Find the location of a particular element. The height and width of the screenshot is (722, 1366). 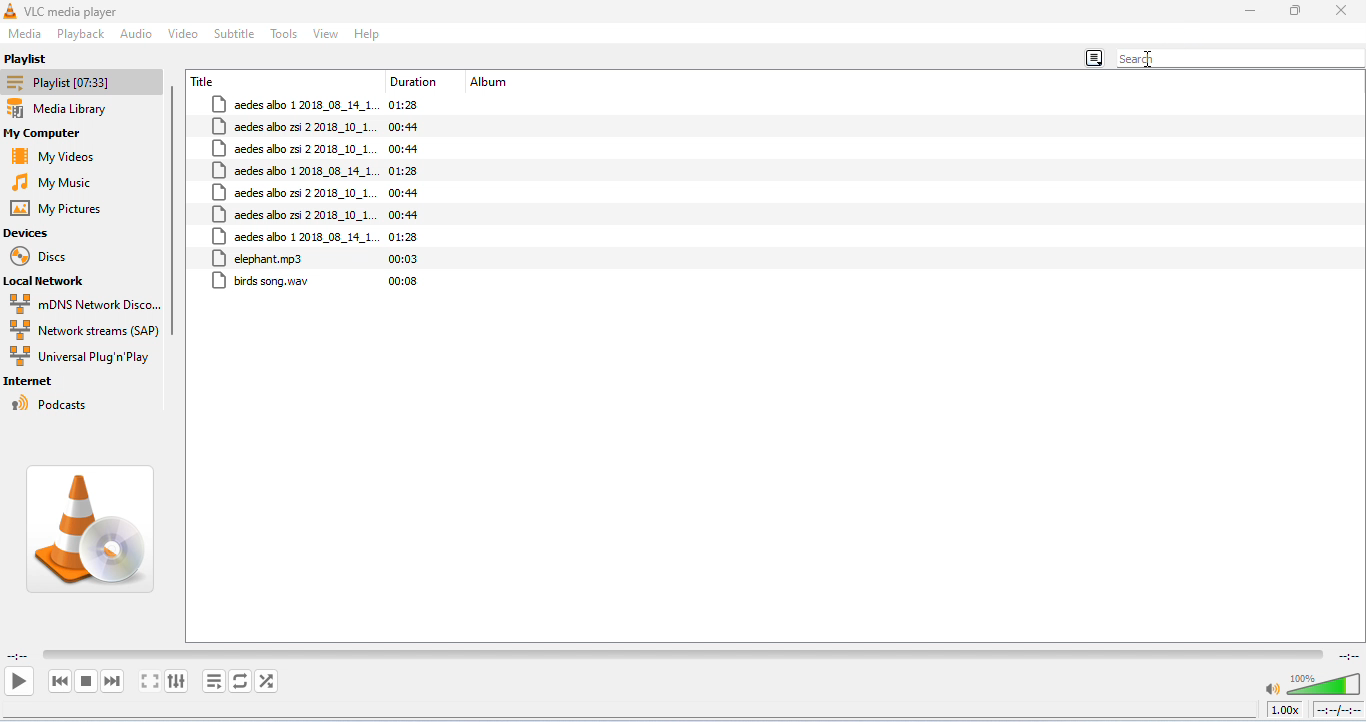

toggle playlist is located at coordinates (213, 681).